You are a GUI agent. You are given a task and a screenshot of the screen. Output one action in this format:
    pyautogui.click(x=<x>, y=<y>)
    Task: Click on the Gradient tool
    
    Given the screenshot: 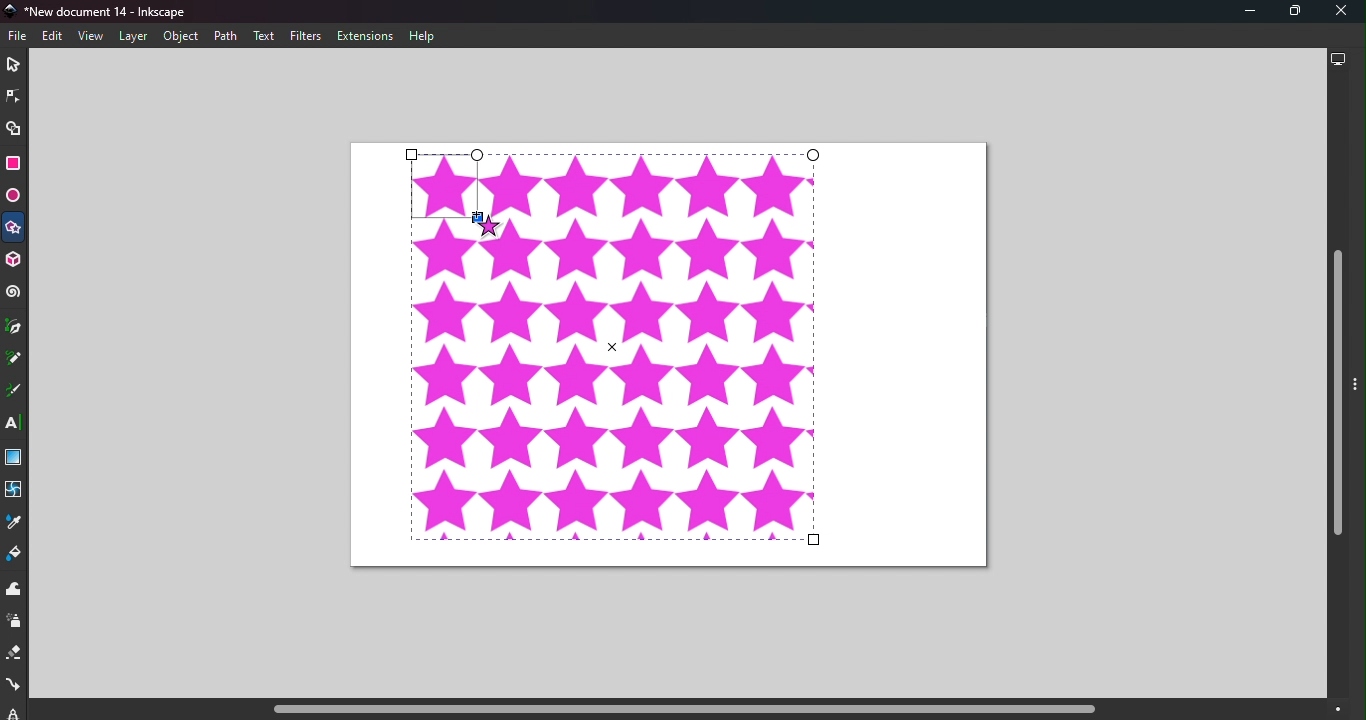 What is the action you would take?
    pyautogui.click(x=15, y=459)
    